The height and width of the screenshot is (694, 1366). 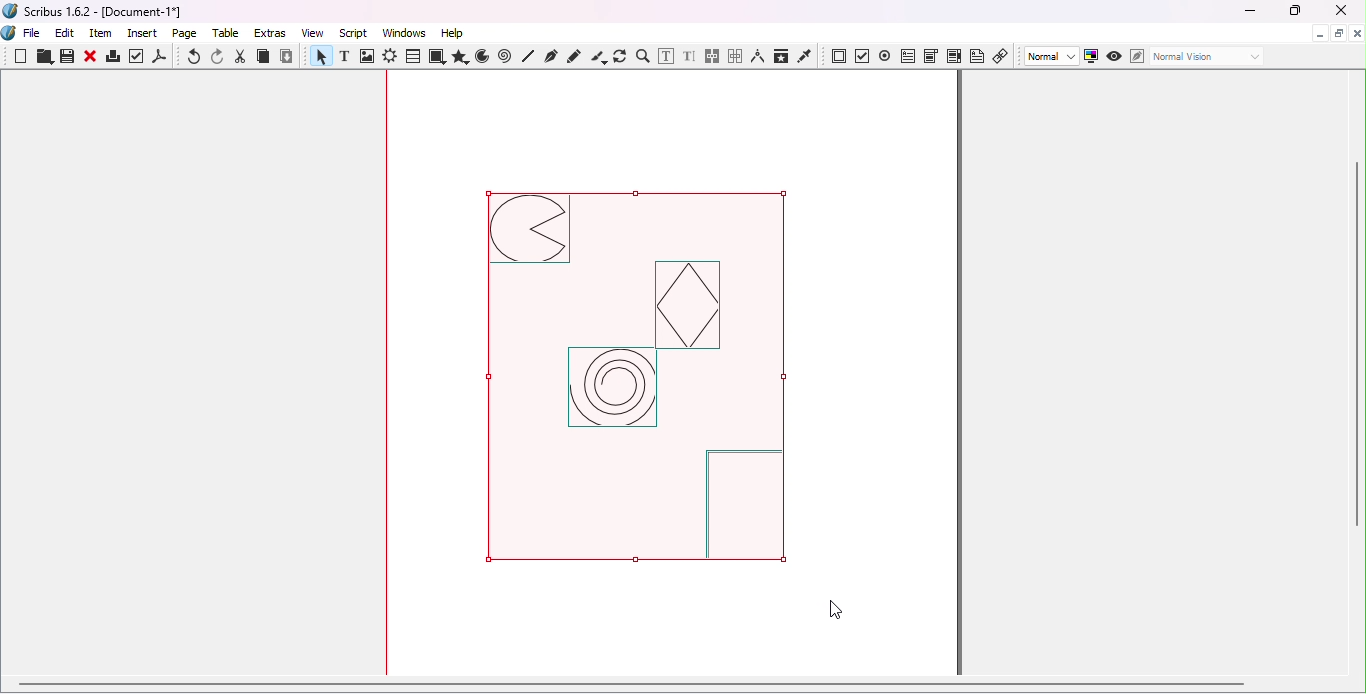 What do you see at coordinates (263, 58) in the screenshot?
I see `Copy` at bounding box center [263, 58].